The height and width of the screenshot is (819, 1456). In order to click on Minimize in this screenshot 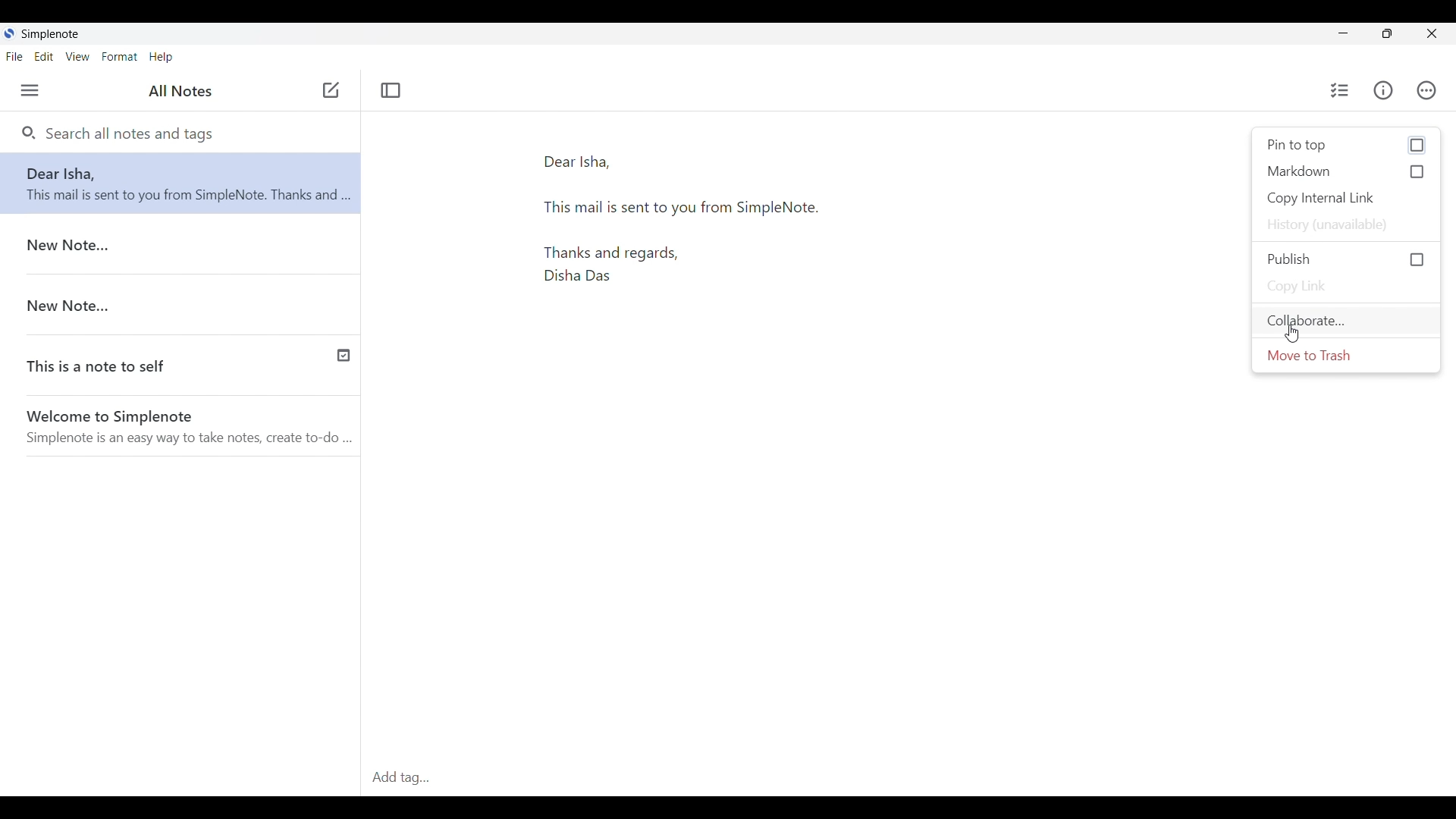, I will do `click(1344, 33)`.